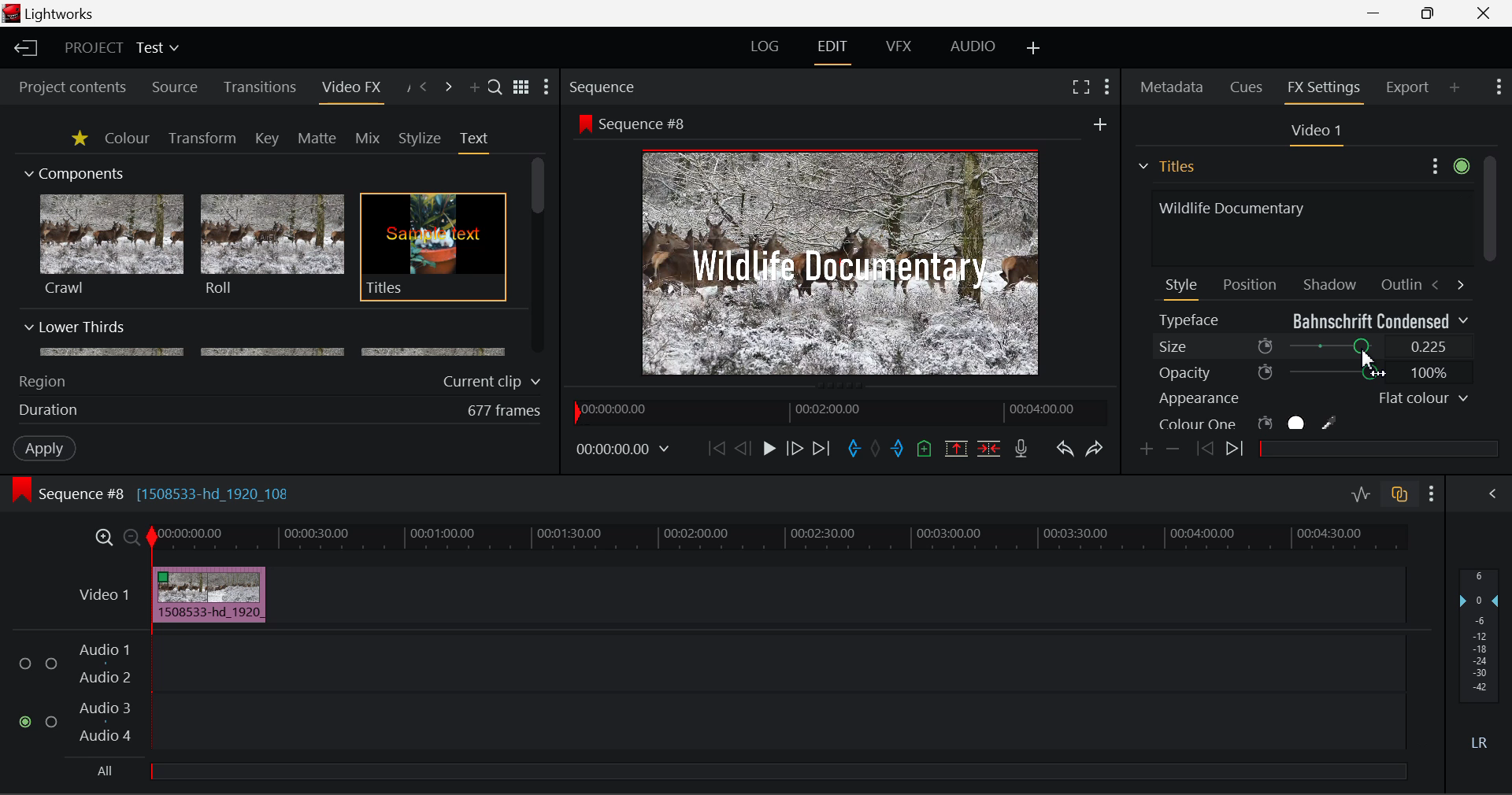 The width and height of the screenshot is (1512, 795). What do you see at coordinates (260, 87) in the screenshot?
I see `Transitions` at bounding box center [260, 87].